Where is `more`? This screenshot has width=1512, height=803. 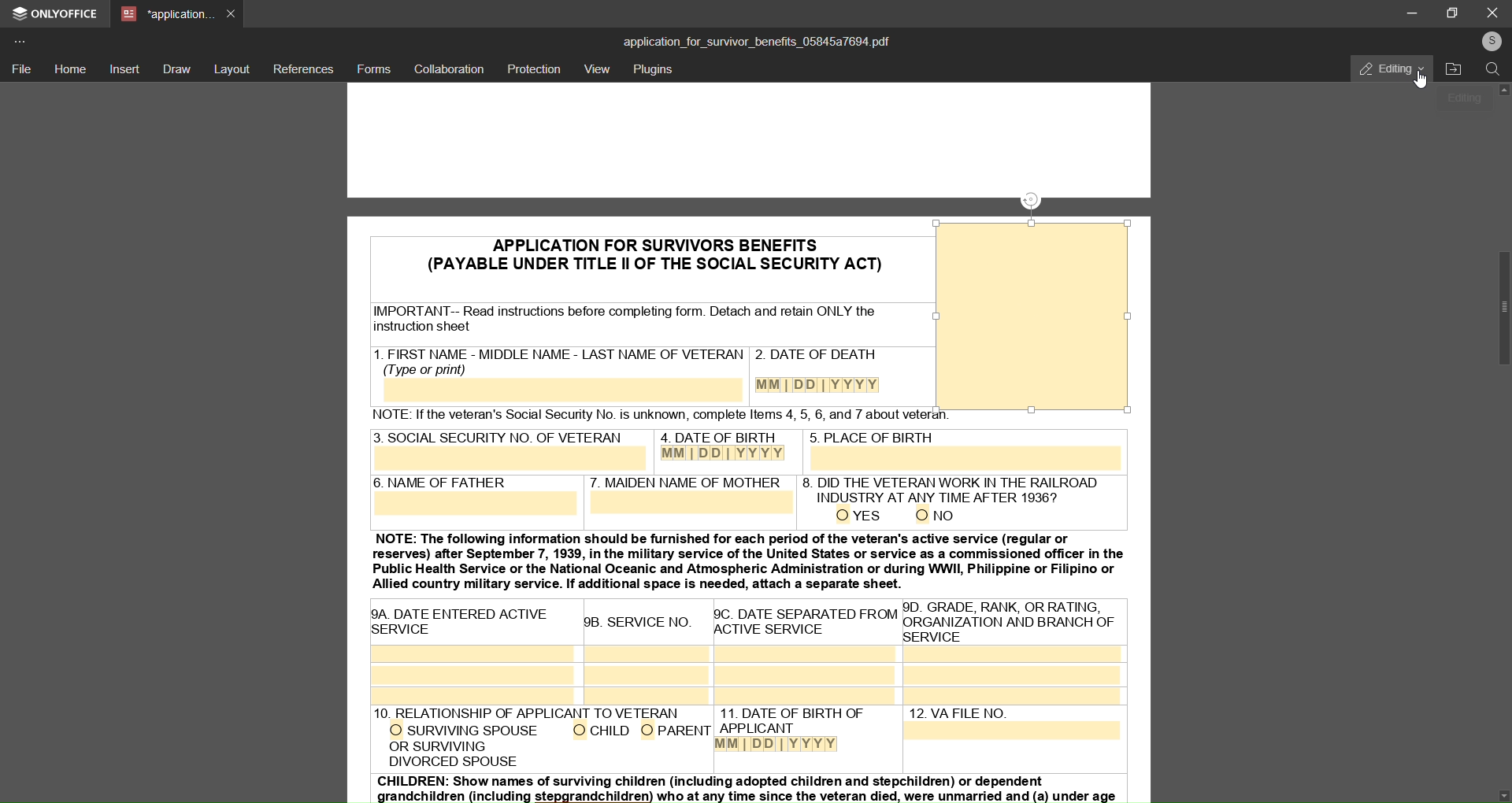
more is located at coordinates (23, 40).